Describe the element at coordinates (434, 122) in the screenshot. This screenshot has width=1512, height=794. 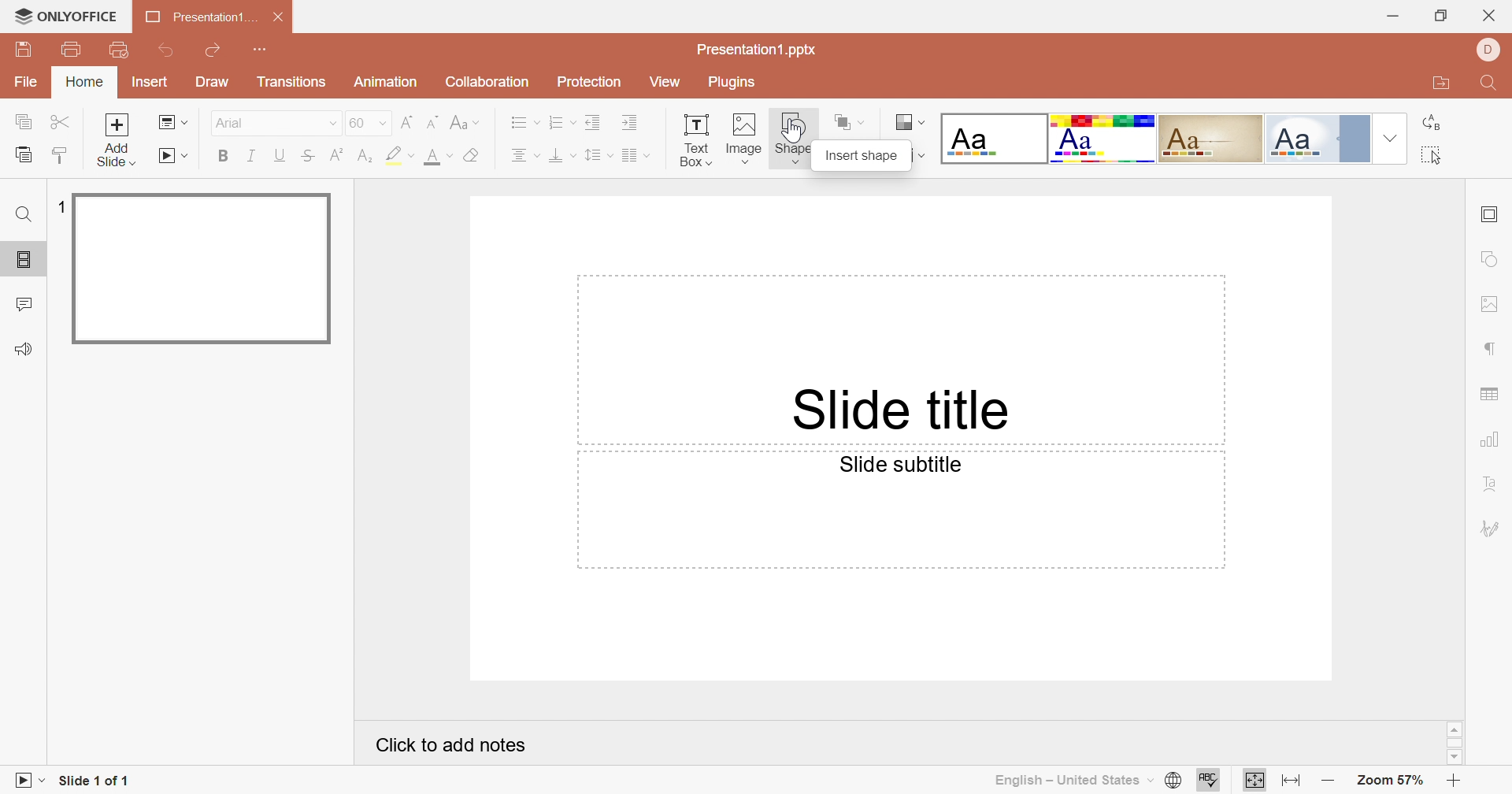
I see `Decrement font size` at that location.